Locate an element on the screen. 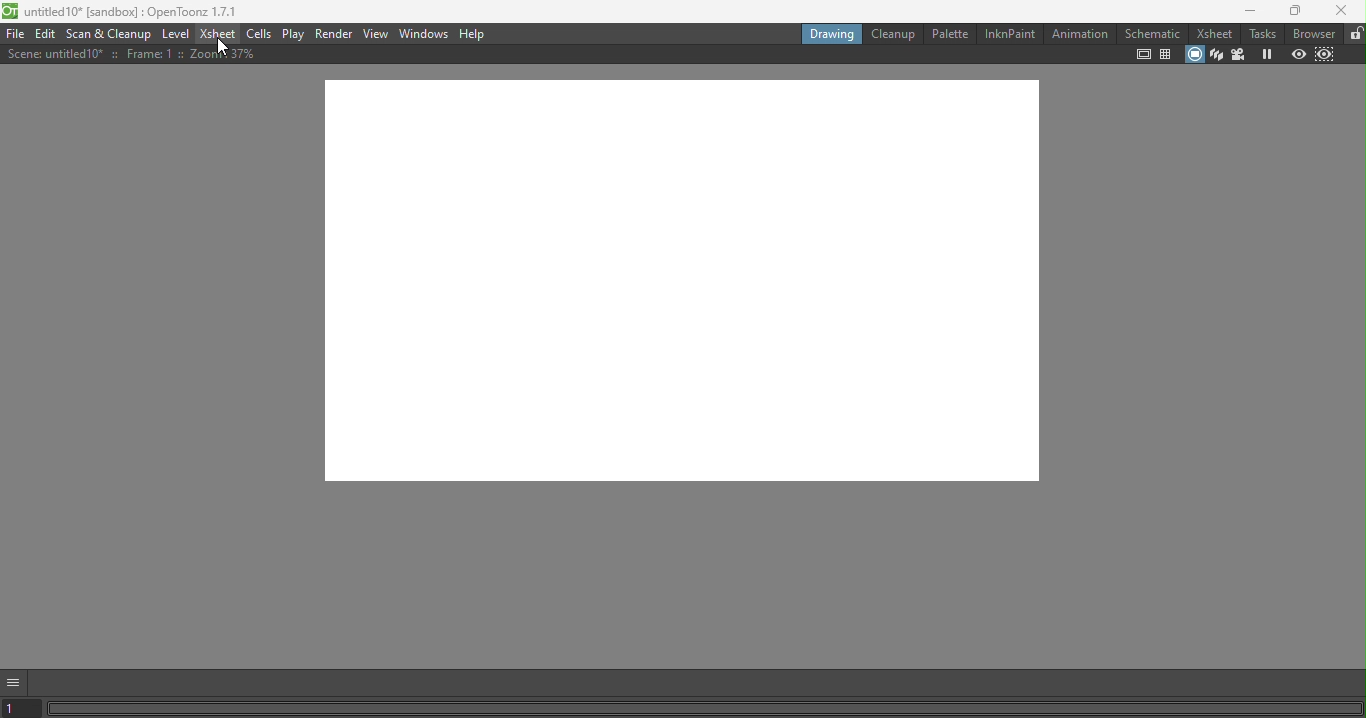 This screenshot has height=718, width=1366. Camera stand view is located at coordinates (1193, 53).